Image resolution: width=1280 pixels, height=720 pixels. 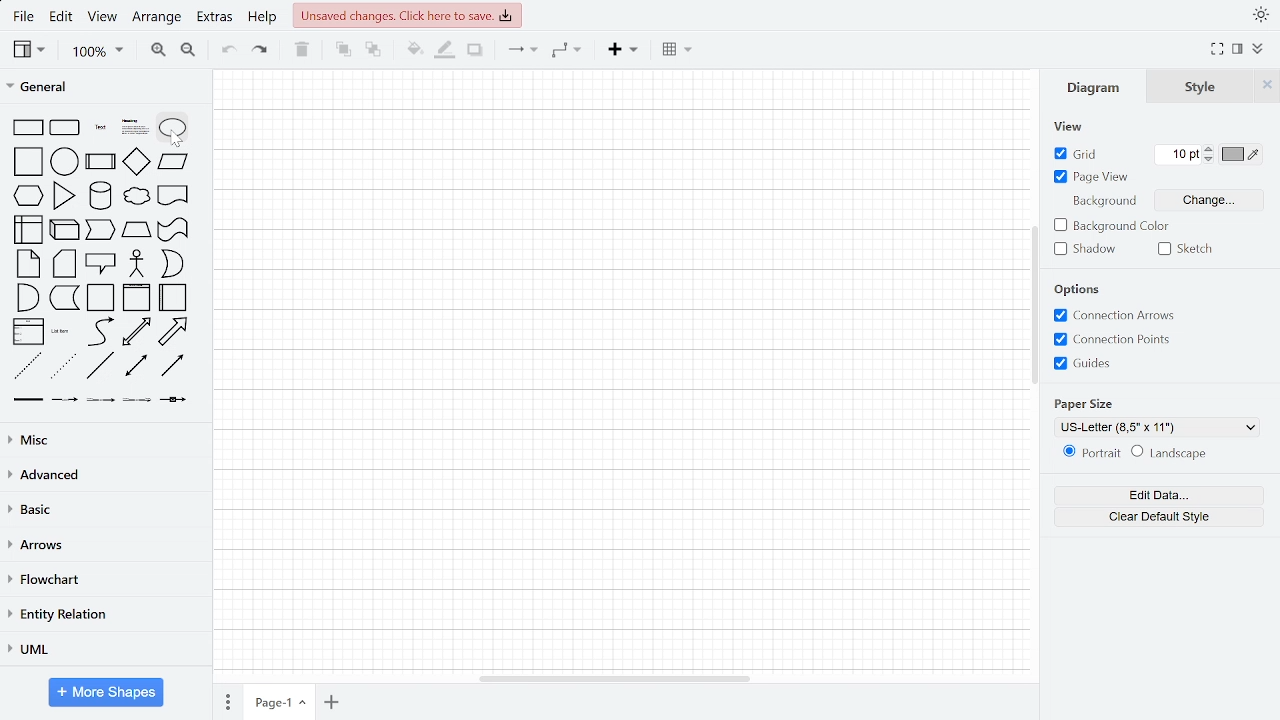 What do you see at coordinates (1116, 316) in the screenshot?
I see `Connection arrows` at bounding box center [1116, 316].